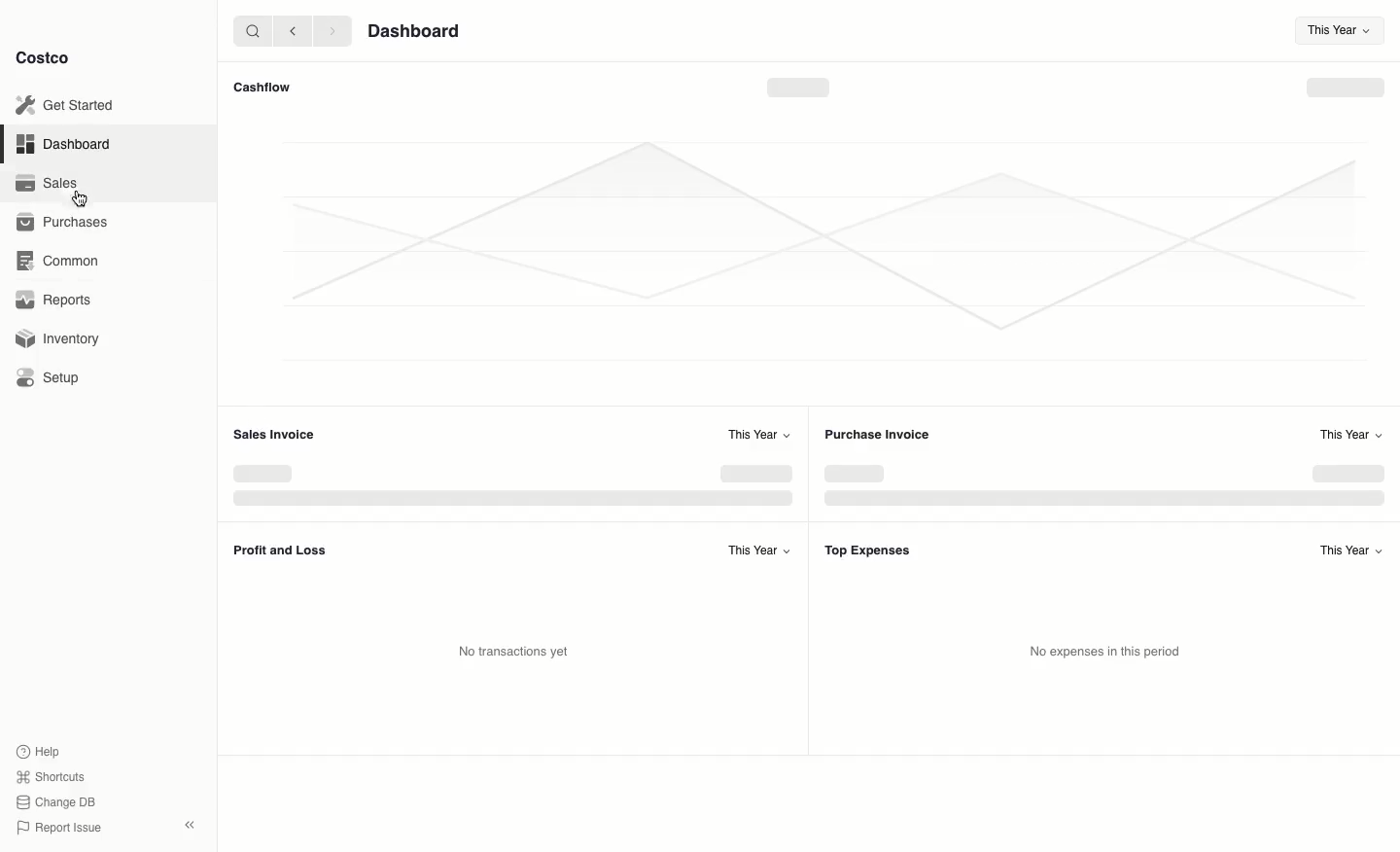 This screenshot has width=1400, height=852. I want to click on Profit and Loss, so click(282, 551).